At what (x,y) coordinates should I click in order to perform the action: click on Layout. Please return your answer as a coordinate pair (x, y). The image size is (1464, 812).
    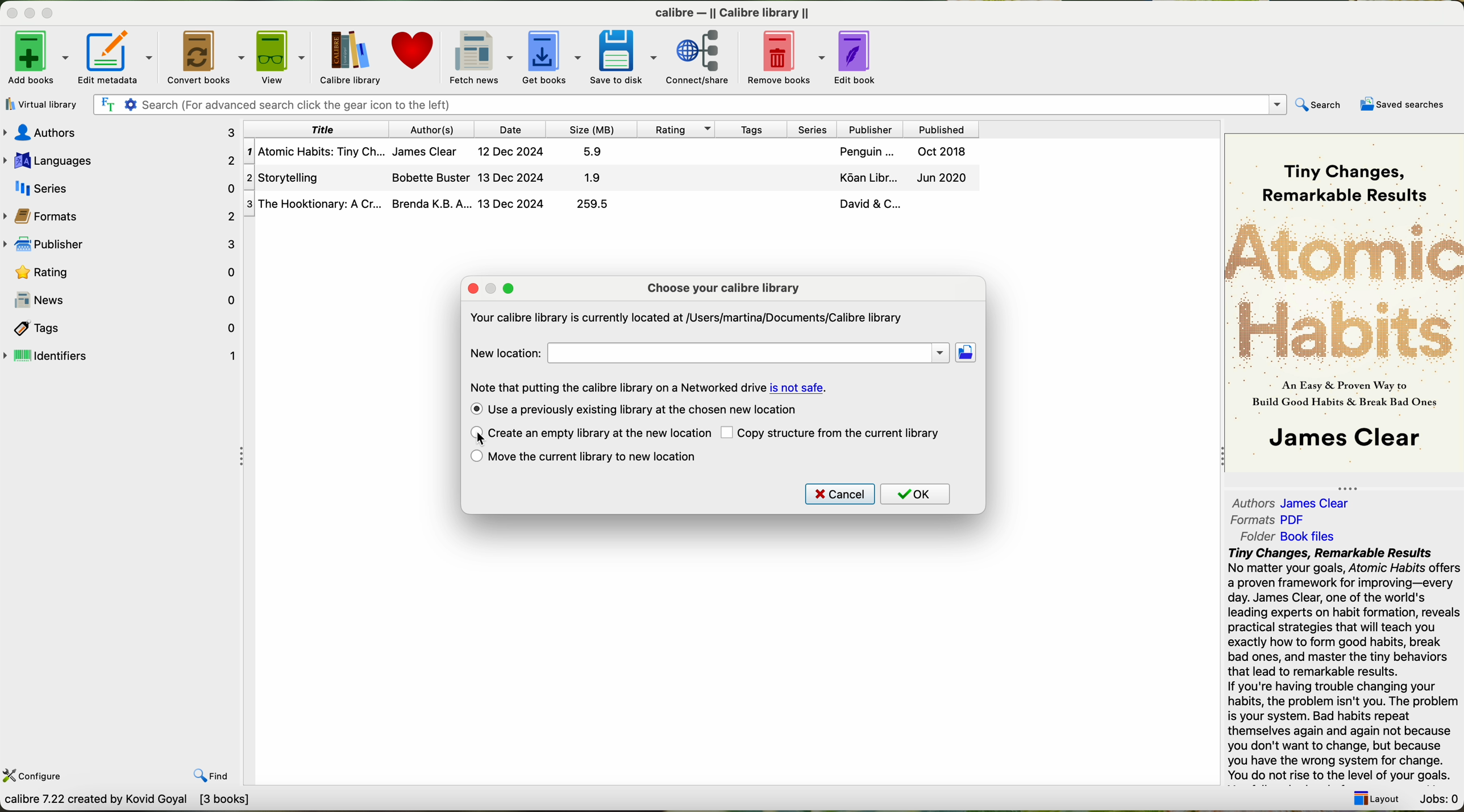
    Looking at the image, I should click on (1373, 795).